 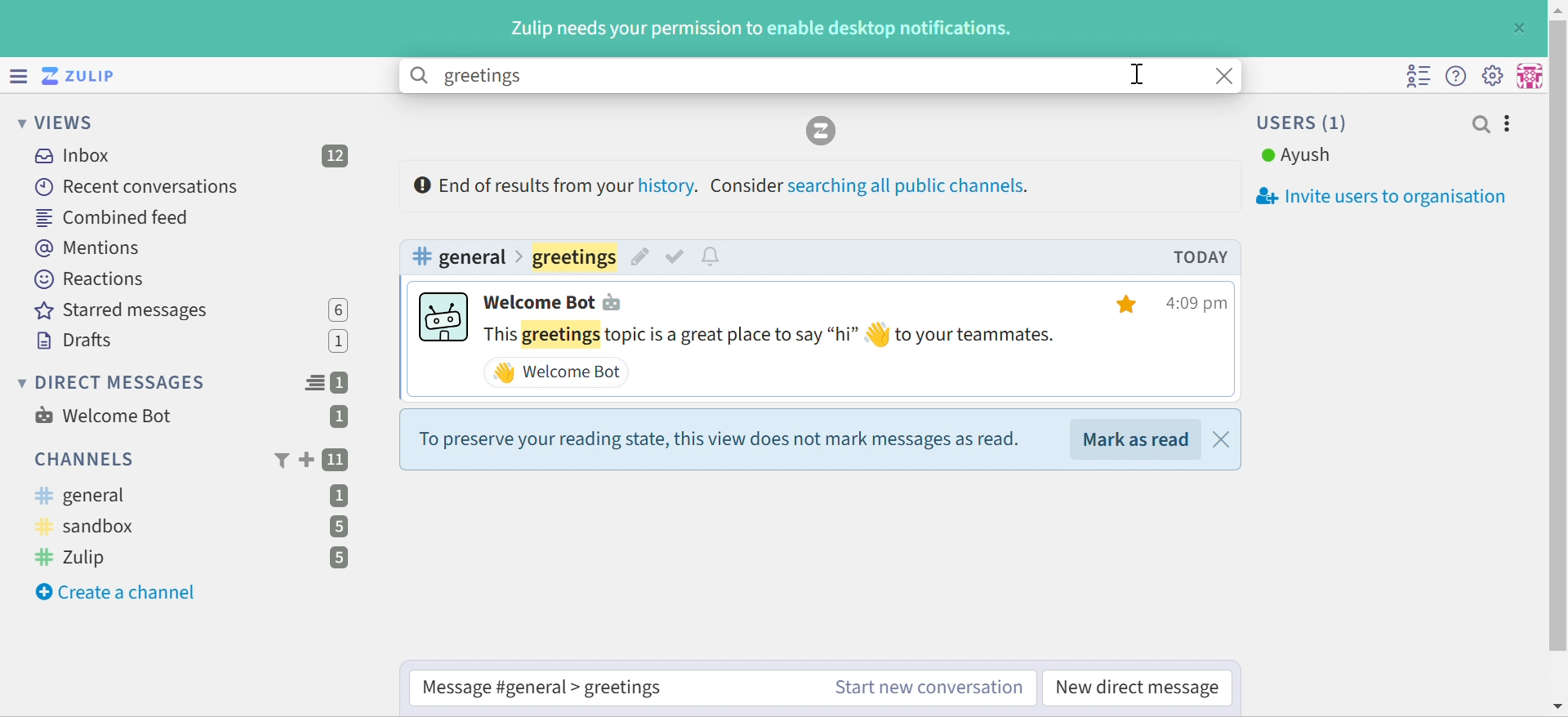 I want to click on greetings, so click(x=481, y=78).